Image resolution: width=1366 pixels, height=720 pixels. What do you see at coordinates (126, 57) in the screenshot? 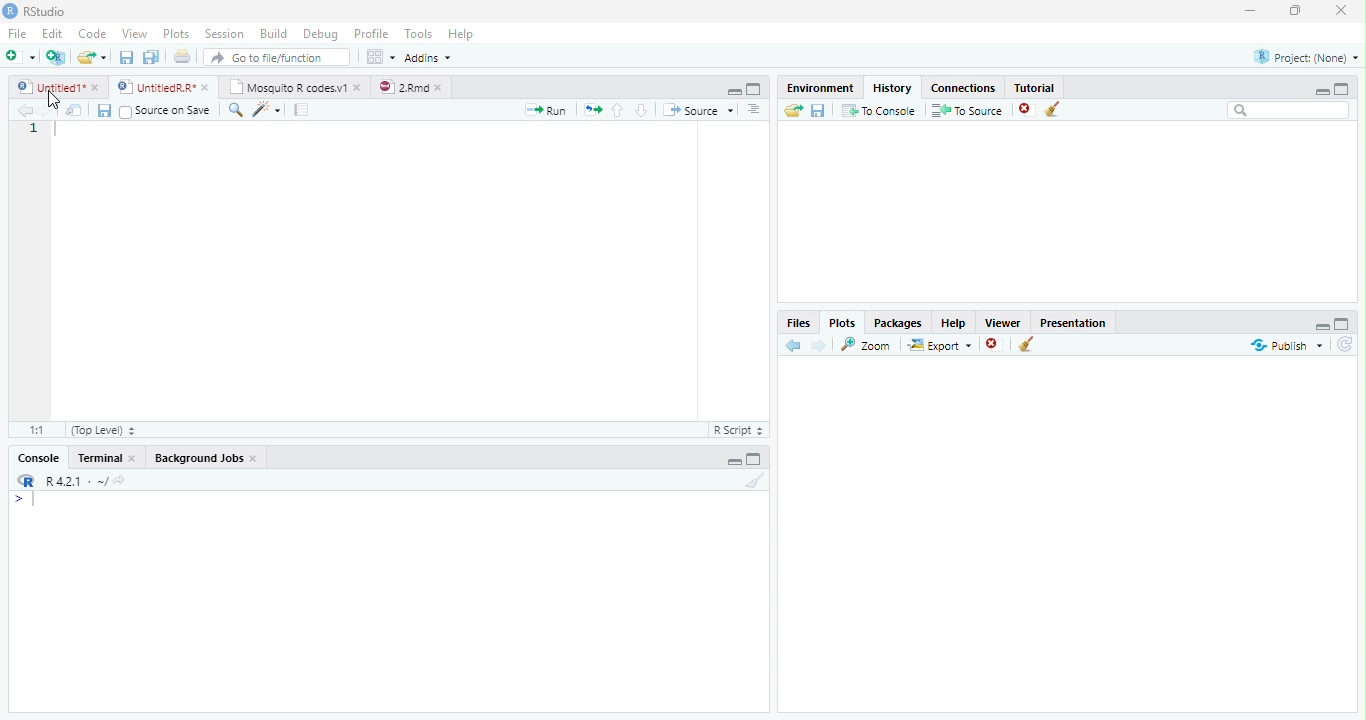
I see `Save current file` at bounding box center [126, 57].